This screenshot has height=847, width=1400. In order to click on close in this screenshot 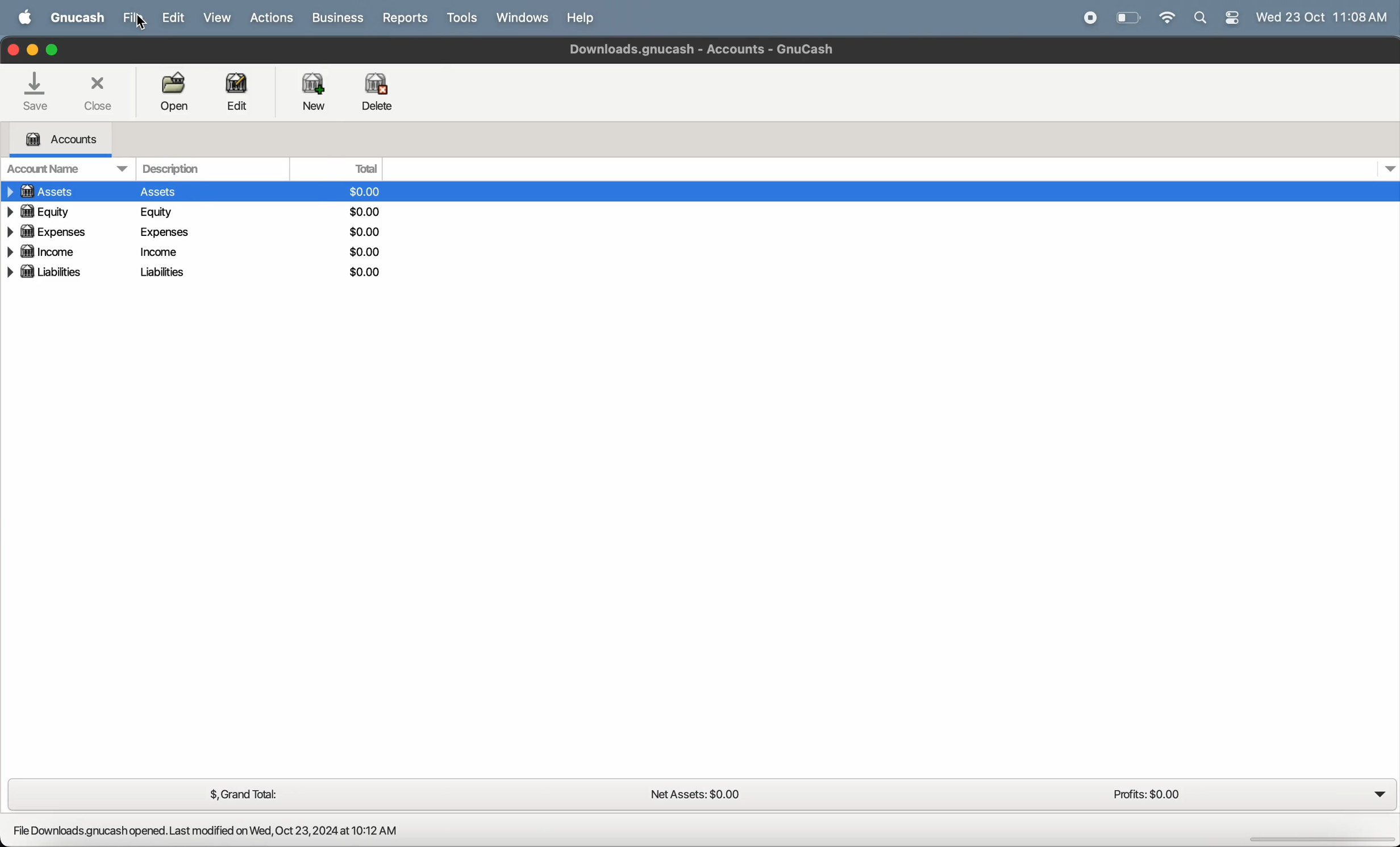, I will do `click(101, 93)`.